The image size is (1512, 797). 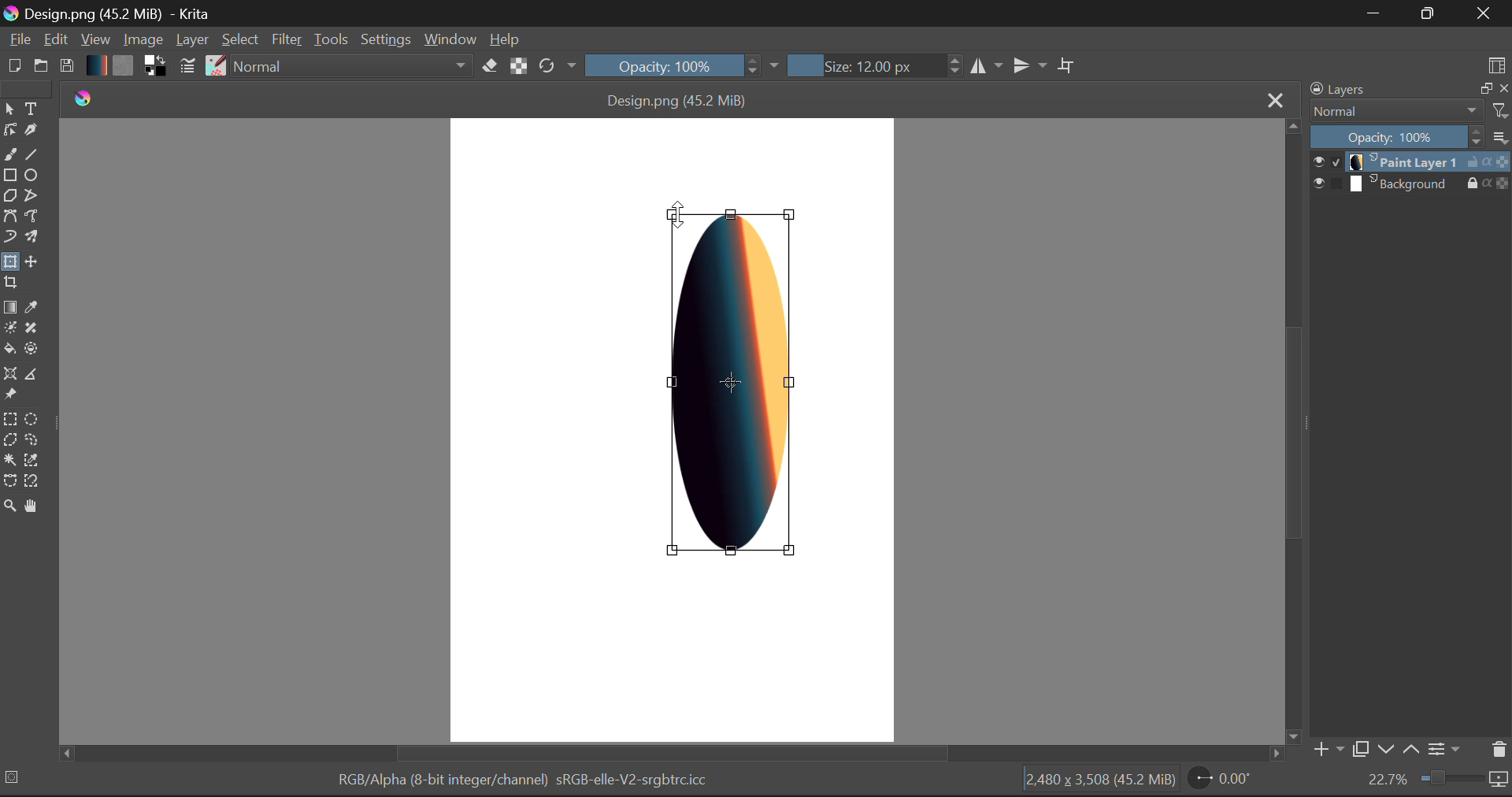 What do you see at coordinates (384, 39) in the screenshot?
I see `Settings` at bounding box center [384, 39].